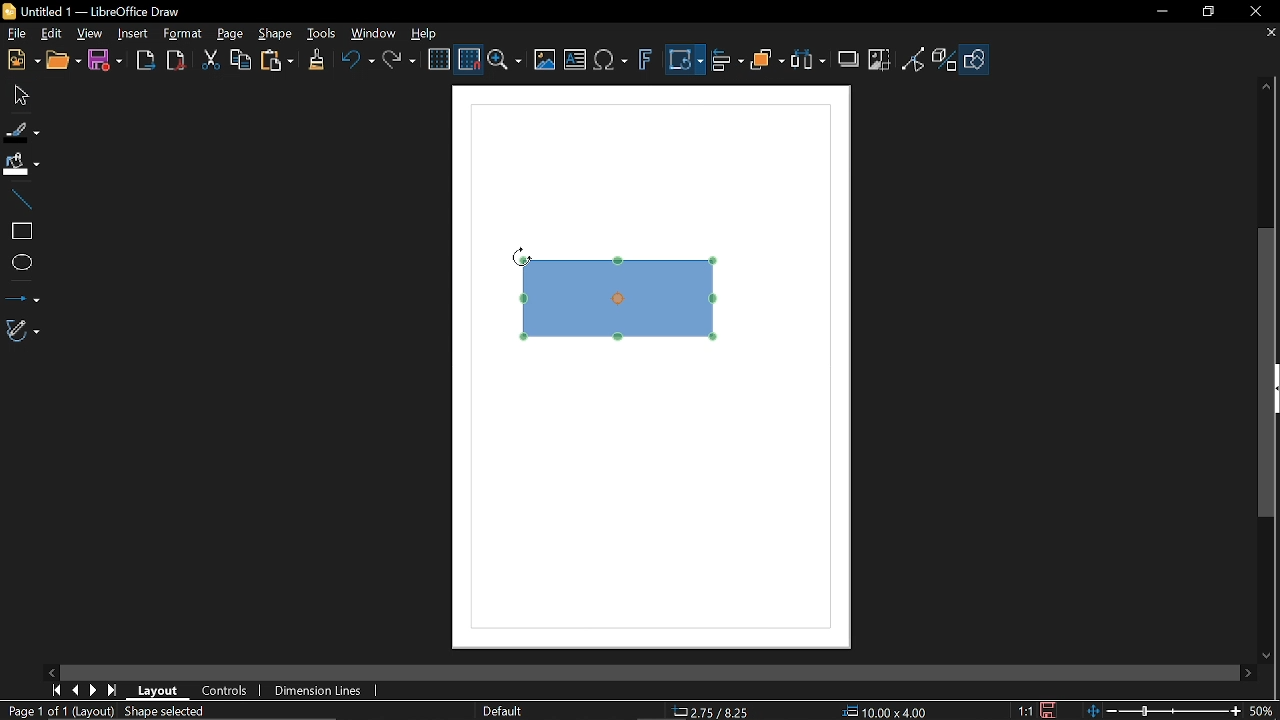 Image resolution: width=1280 pixels, height=720 pixels. I want to click on Shape, so click(278, 35).